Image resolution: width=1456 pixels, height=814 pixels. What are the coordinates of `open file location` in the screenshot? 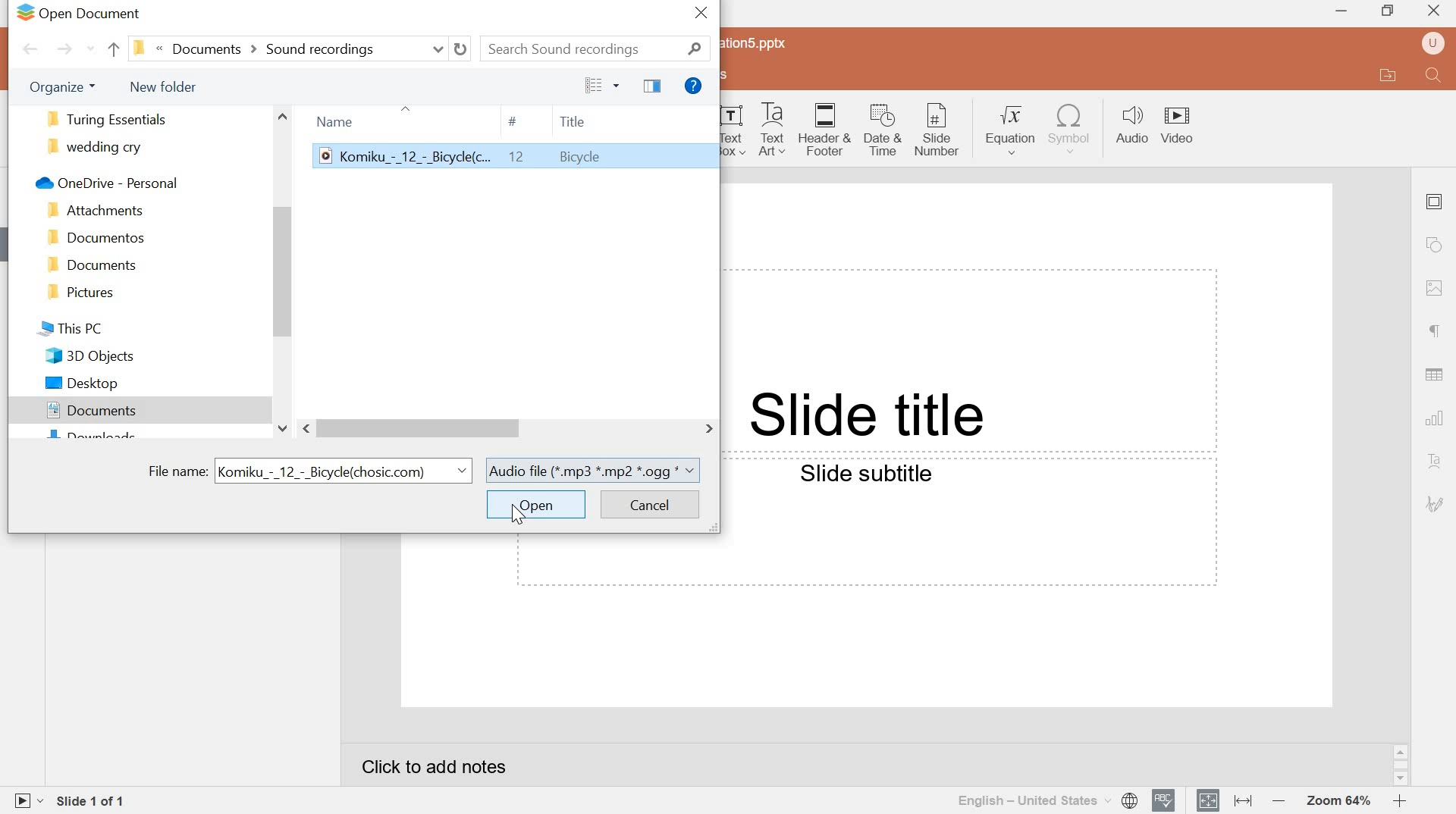 It's located at (1389, 74).